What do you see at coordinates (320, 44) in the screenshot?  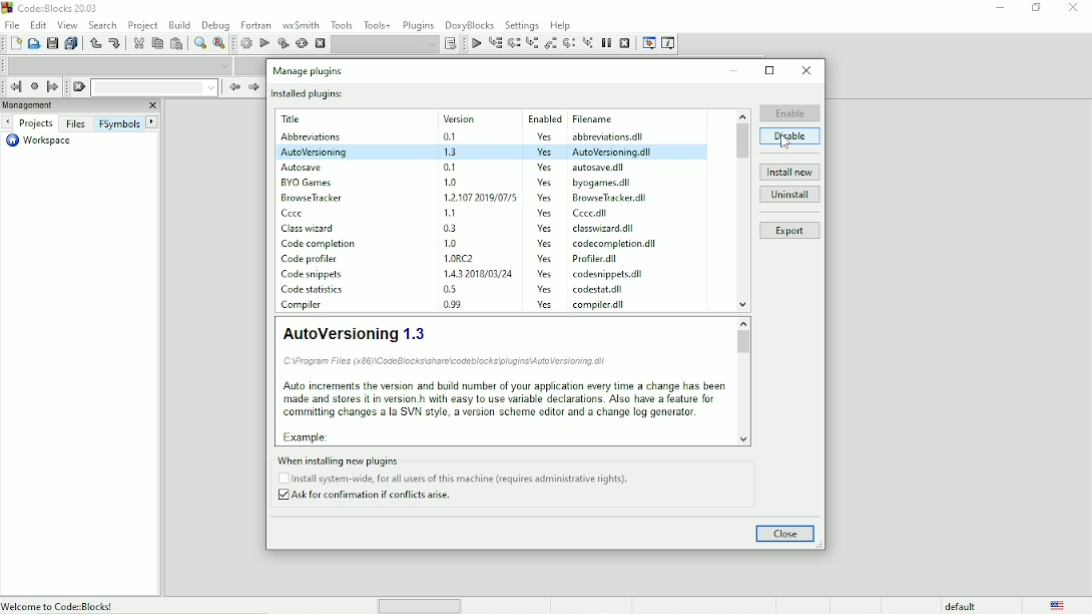 I see `Abort` at bounding box center [320, 44].